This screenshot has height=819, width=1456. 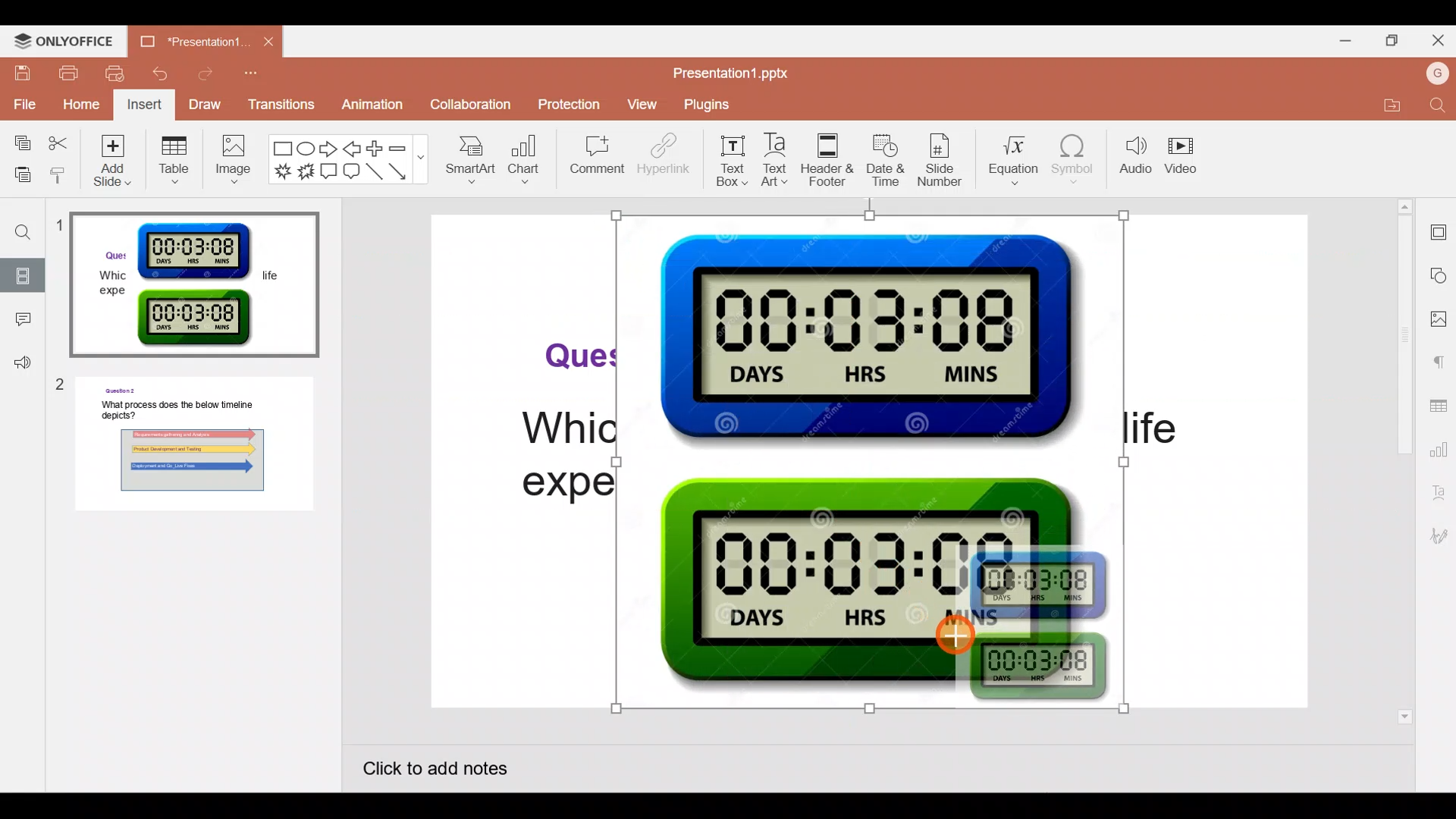 I want to click on Home, so click(x=81, y=104).